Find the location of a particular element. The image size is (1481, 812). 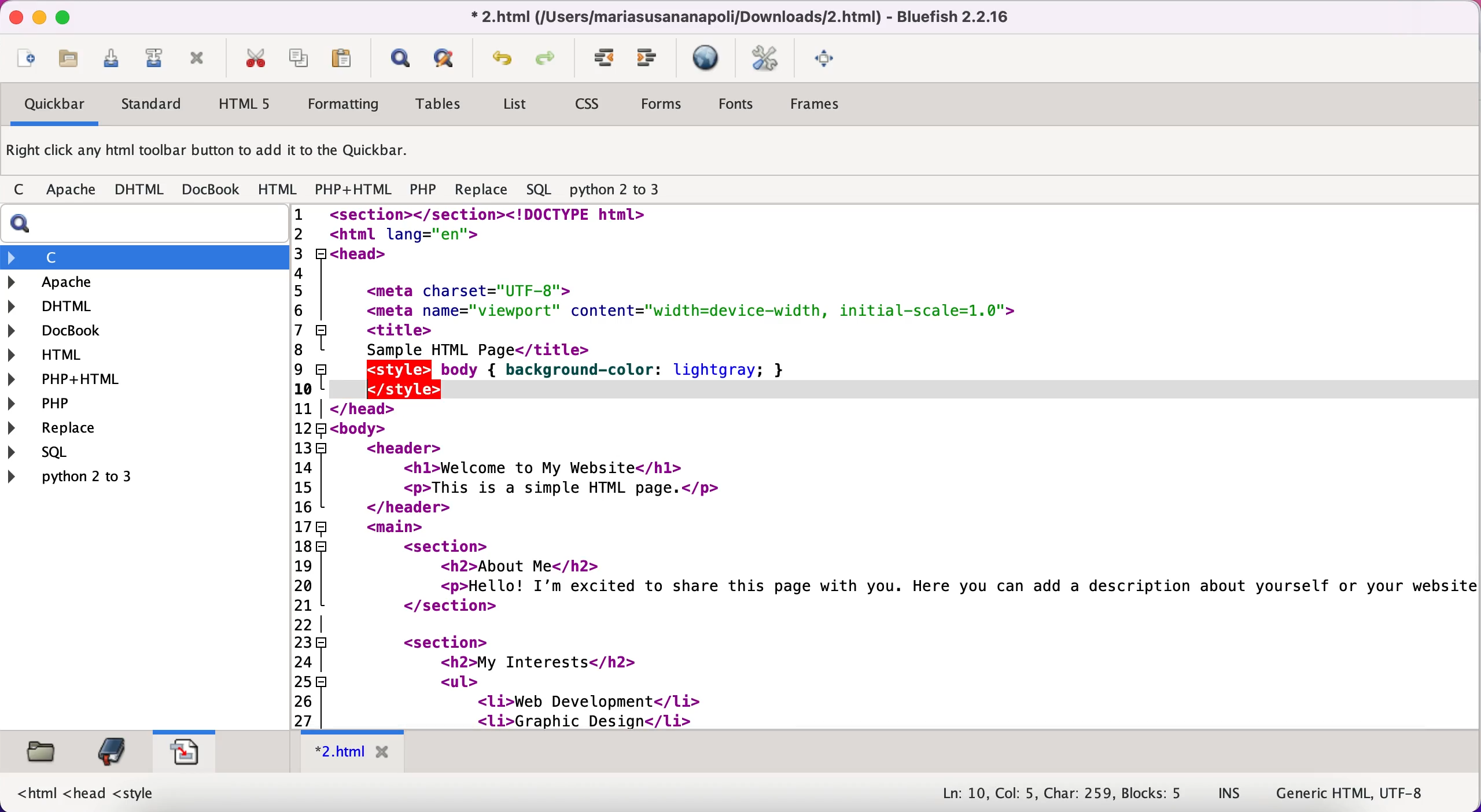

replace is located at coordinates (80, 429).